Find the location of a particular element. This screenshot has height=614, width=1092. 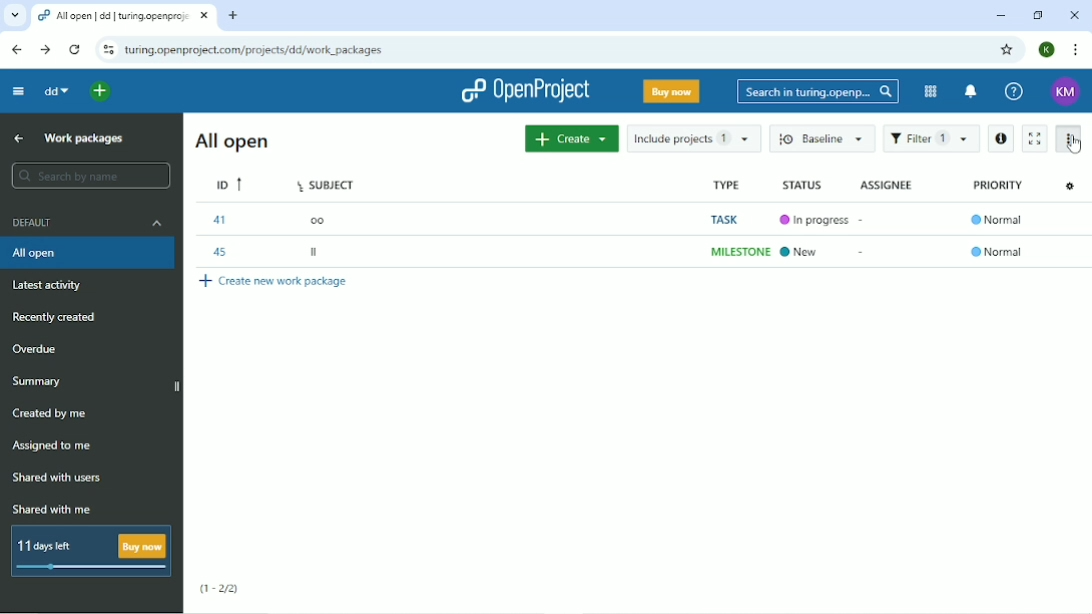

11 days left Buy now is located at coordinates (92, 551).